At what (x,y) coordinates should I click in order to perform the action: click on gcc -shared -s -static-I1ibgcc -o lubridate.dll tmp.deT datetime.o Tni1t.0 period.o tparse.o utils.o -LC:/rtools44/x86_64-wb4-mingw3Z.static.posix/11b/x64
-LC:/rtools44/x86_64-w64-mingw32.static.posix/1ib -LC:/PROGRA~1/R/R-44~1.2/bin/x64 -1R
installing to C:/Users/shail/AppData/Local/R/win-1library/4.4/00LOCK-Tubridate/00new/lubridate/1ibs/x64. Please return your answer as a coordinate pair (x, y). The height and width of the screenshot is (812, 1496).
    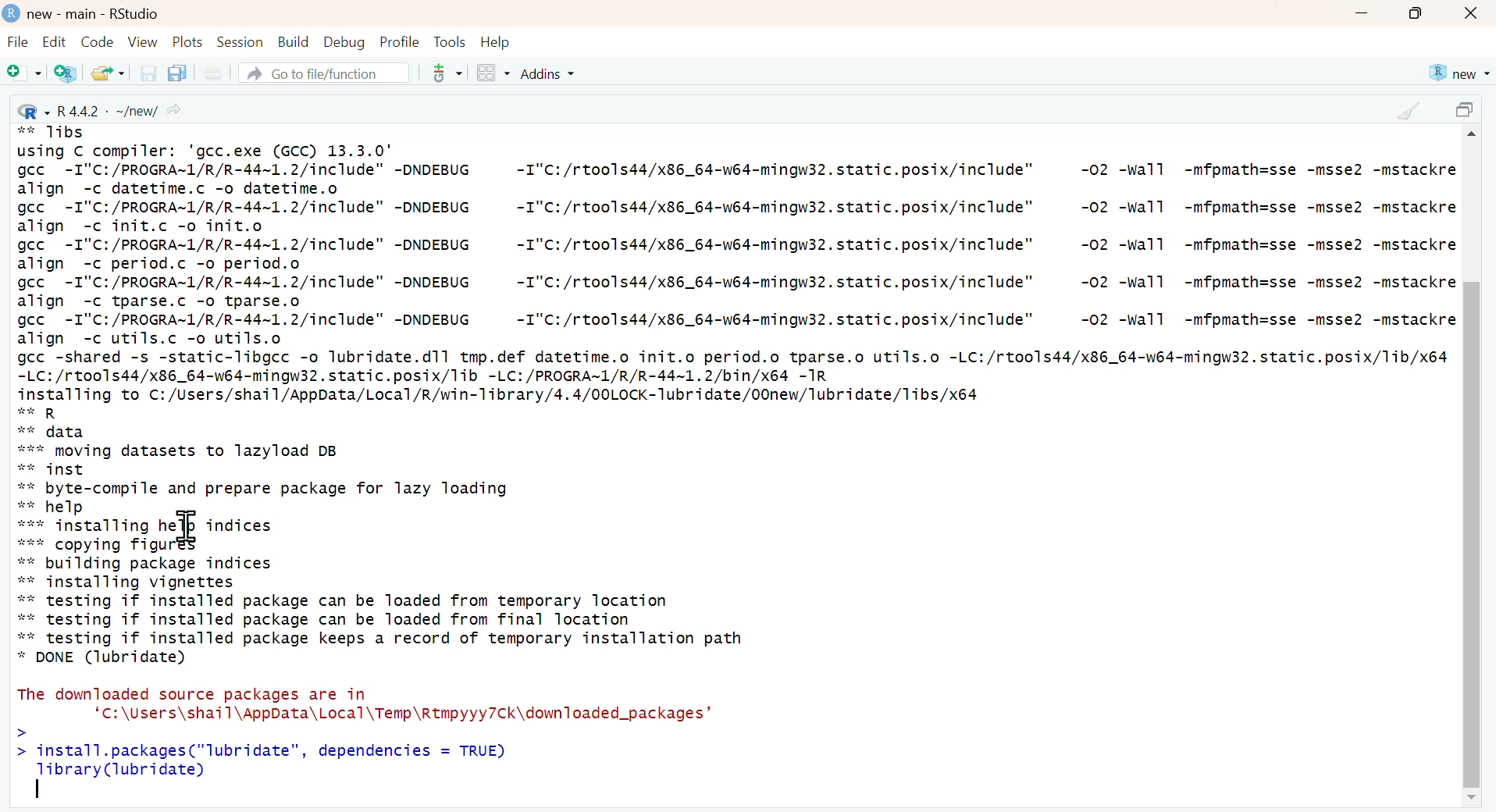
    Looking at the image, I should click on (734, 375).